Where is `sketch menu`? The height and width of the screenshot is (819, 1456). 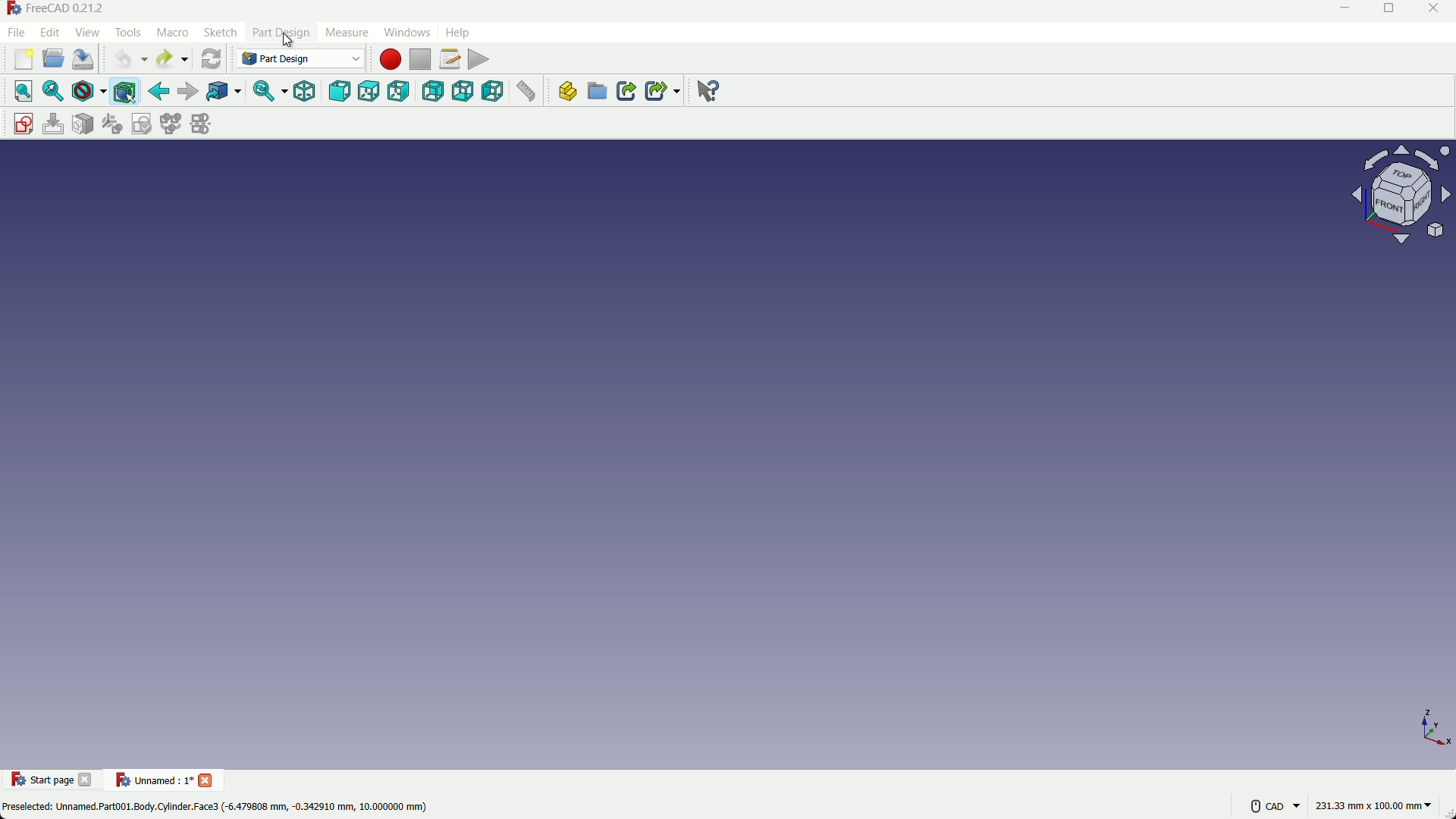 sketch menu is located at coordinates (220, 33).